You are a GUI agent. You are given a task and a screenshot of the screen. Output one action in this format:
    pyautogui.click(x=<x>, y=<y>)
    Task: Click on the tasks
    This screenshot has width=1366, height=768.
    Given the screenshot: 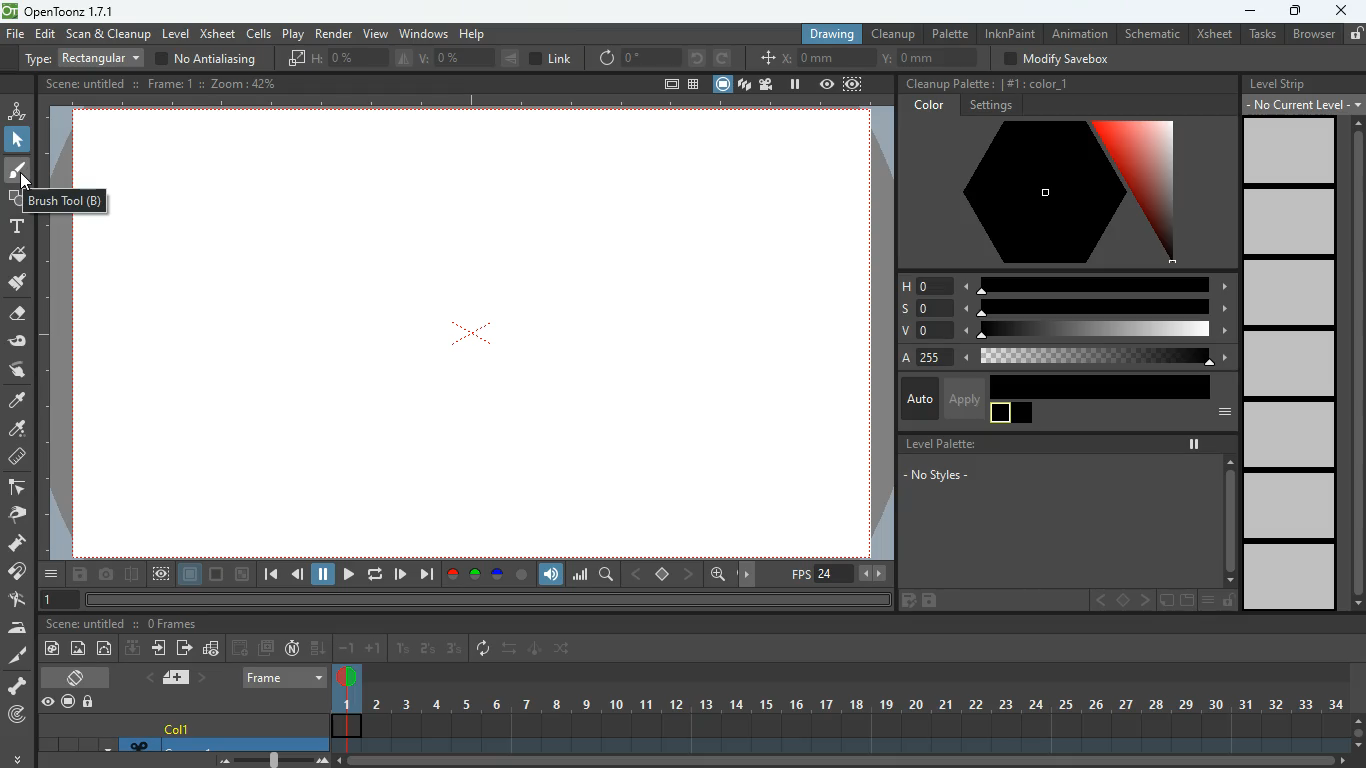 What is the action you would take?
    pyautogui.click(x=1261, y=35)
    